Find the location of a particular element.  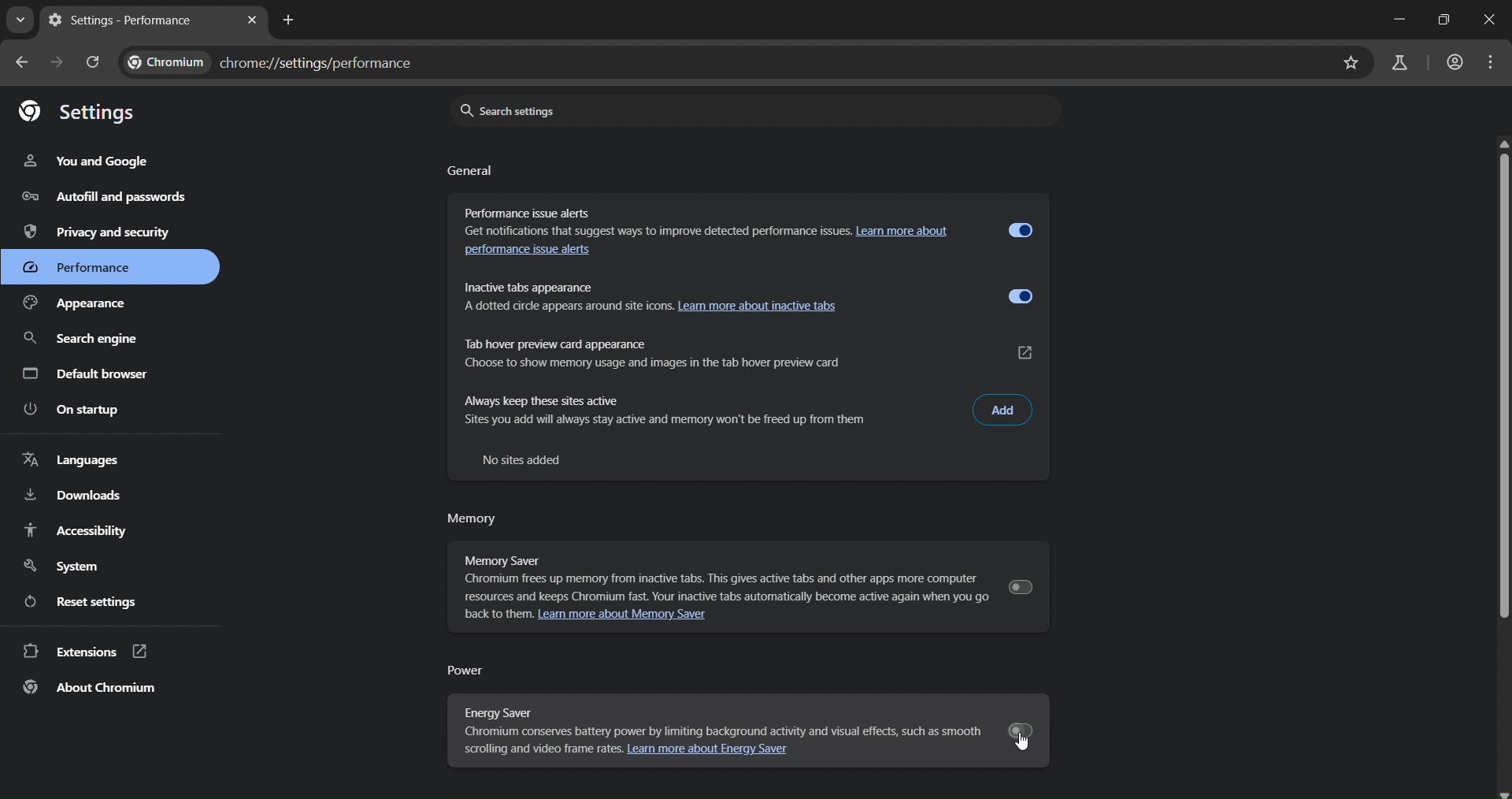

general is located at coordinates (472, 173).